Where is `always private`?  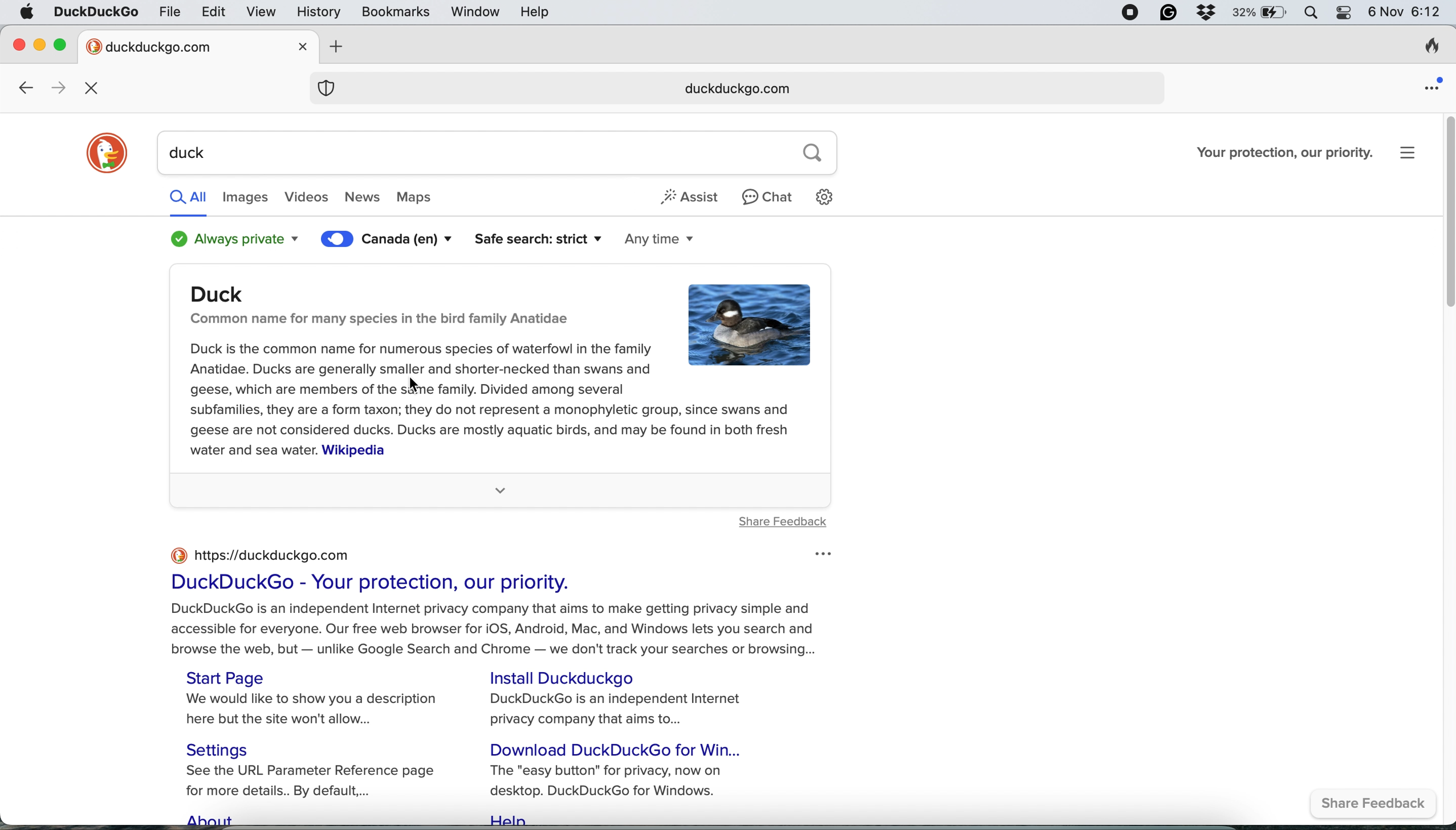
always private is located at coordinates (229, 239).